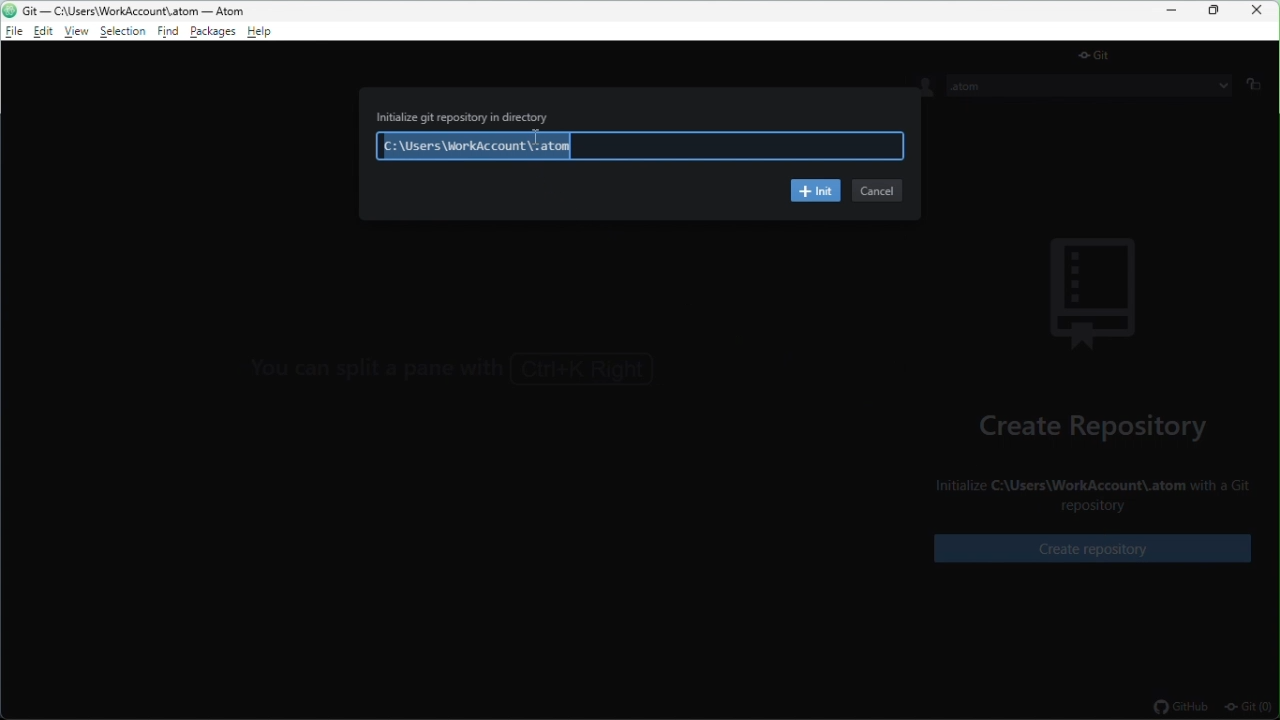  I want to click on package, so click(213, 32).